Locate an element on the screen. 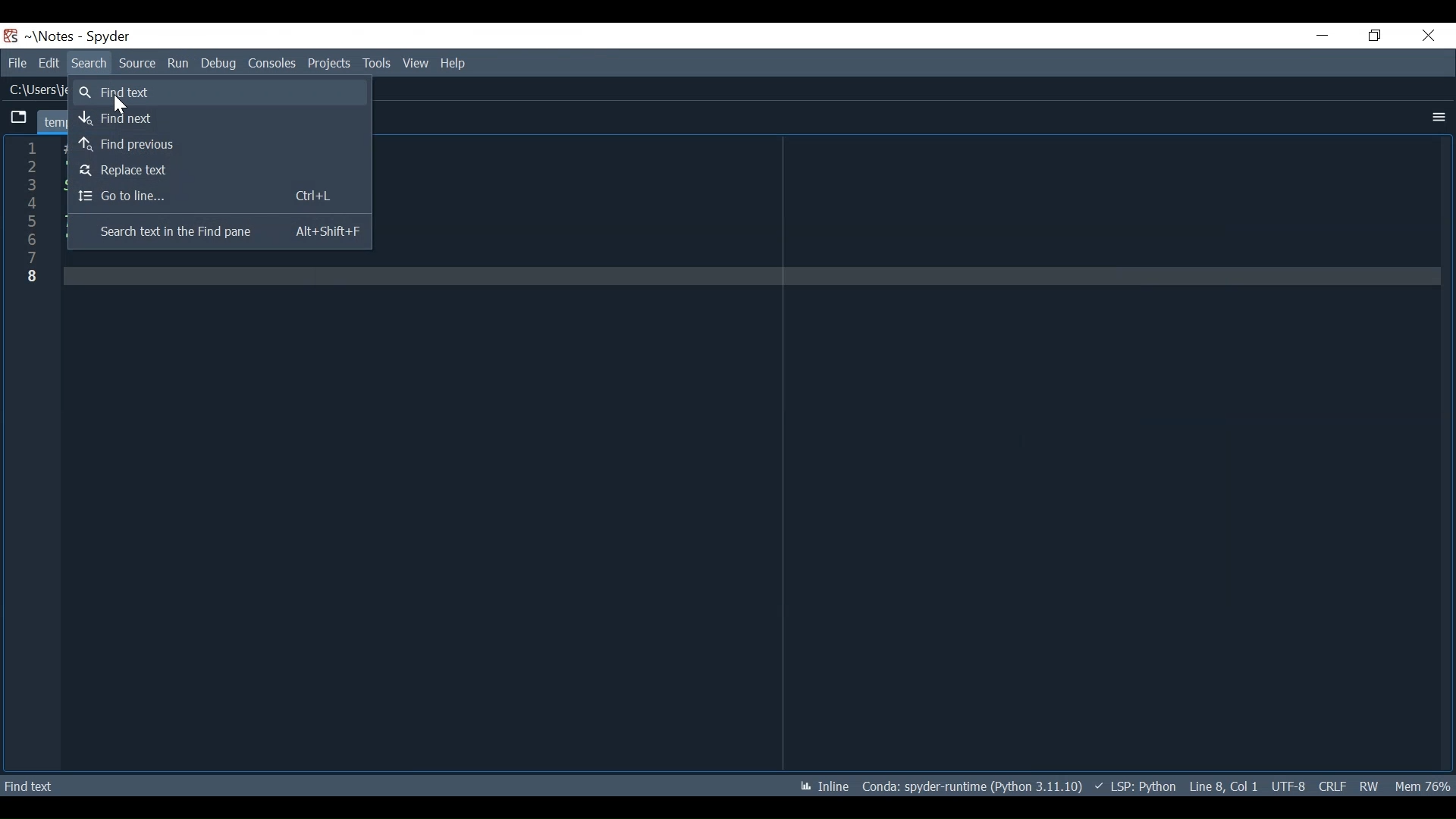  Language is located at coordinates (1142, 787).